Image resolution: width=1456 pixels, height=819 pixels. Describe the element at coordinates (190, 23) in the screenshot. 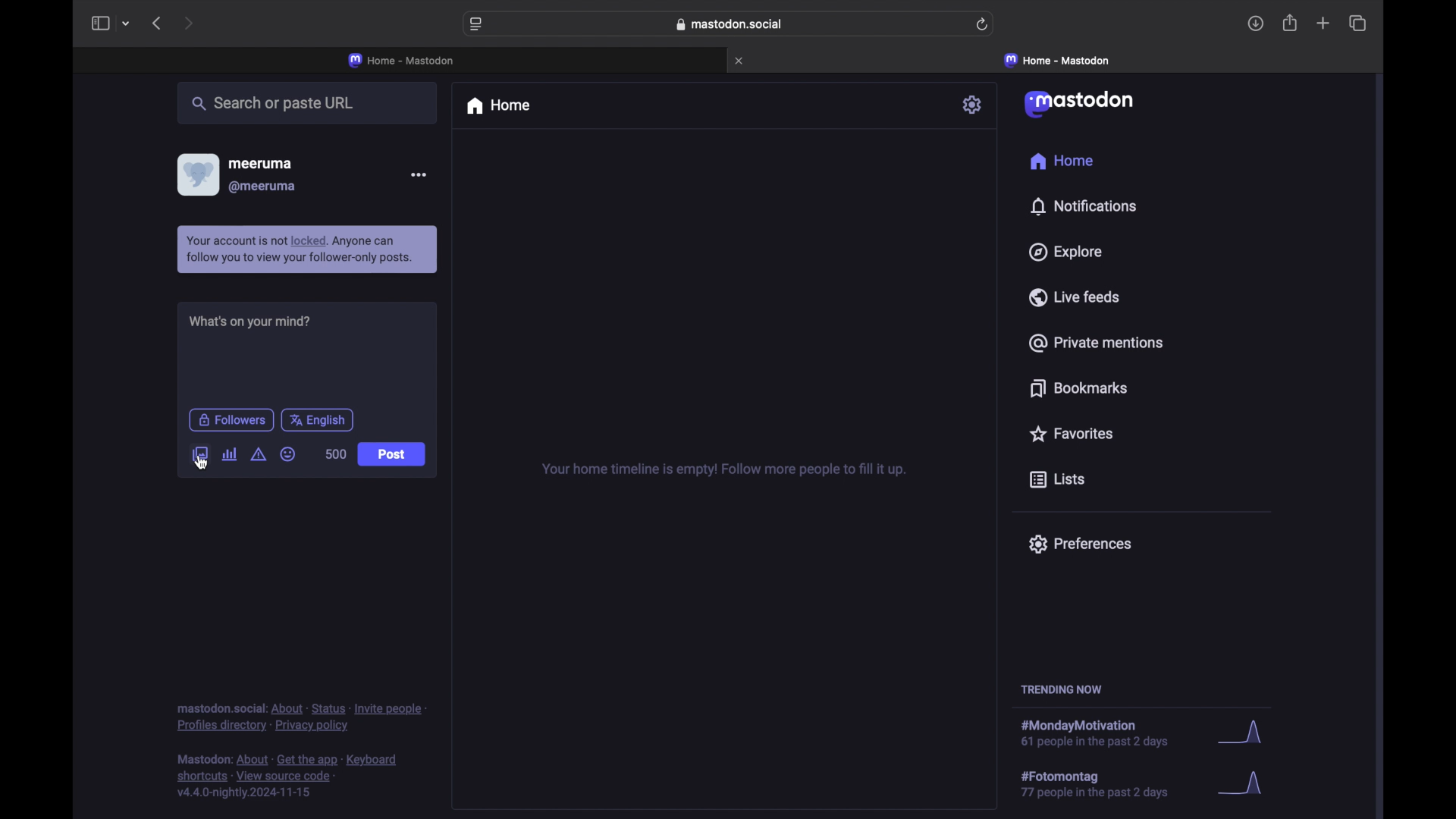

I see `next` at that location.